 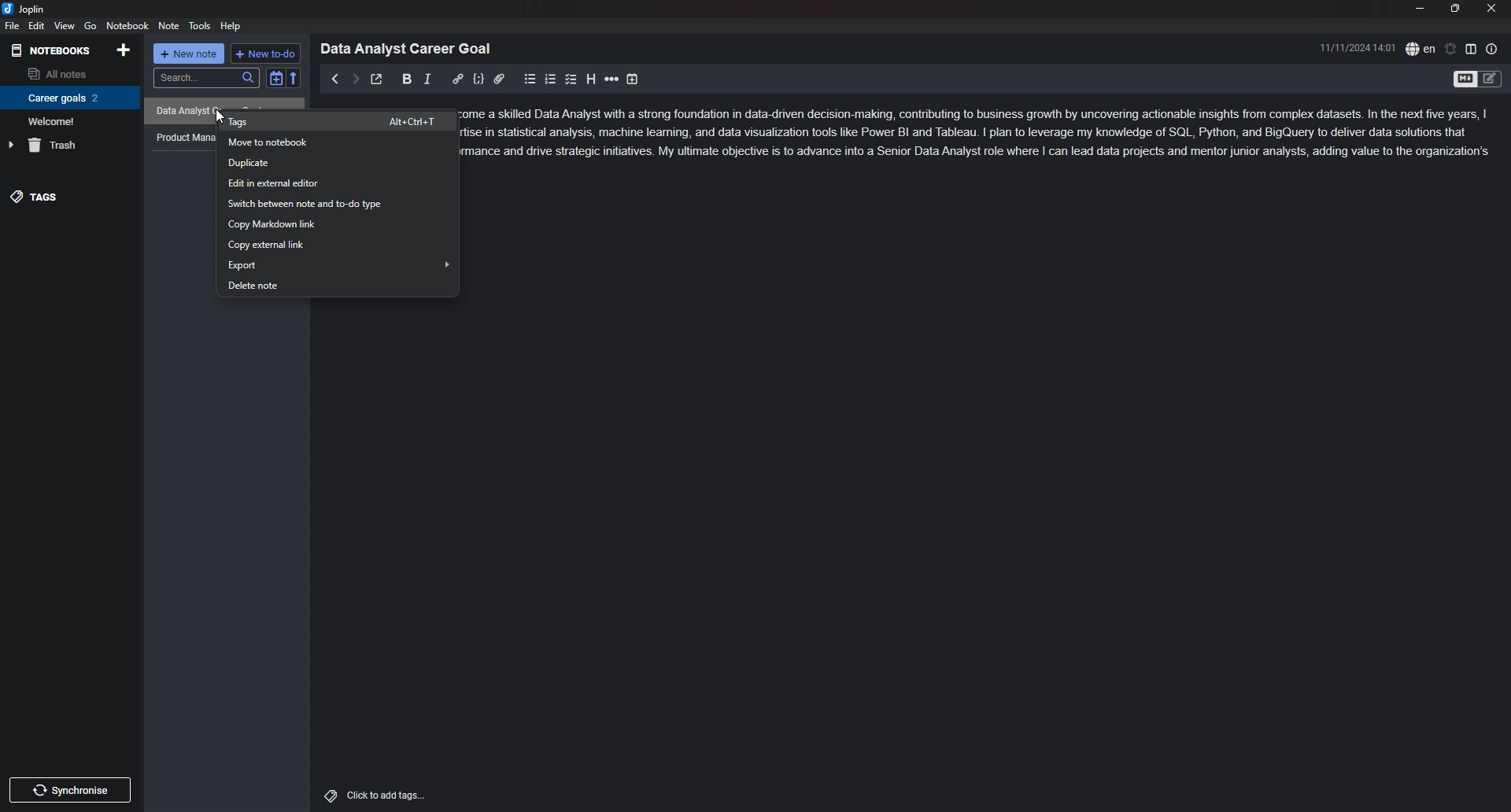 What do you see at coordinates (386, 795) in the screenshot?
I see `Click to add tags...` at bounding box center [386, 795].